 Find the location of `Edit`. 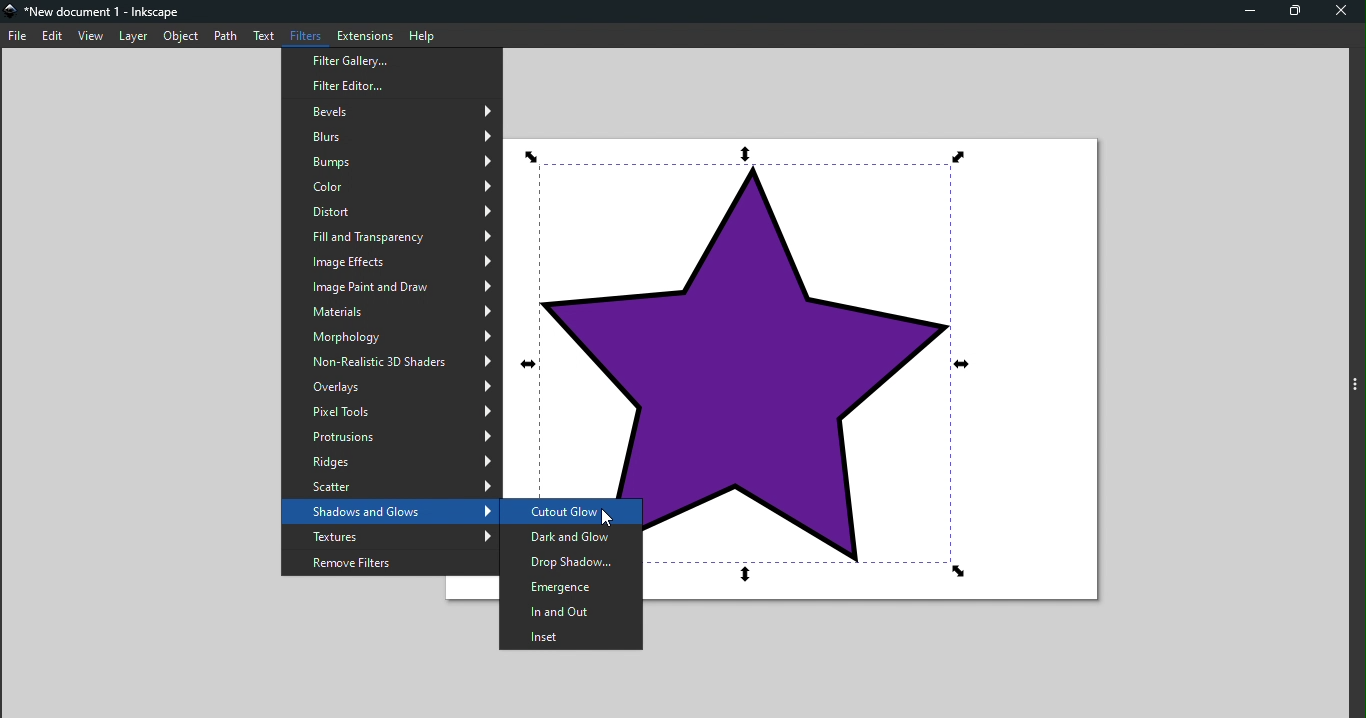

Edit is located at coordinates (54, 37).